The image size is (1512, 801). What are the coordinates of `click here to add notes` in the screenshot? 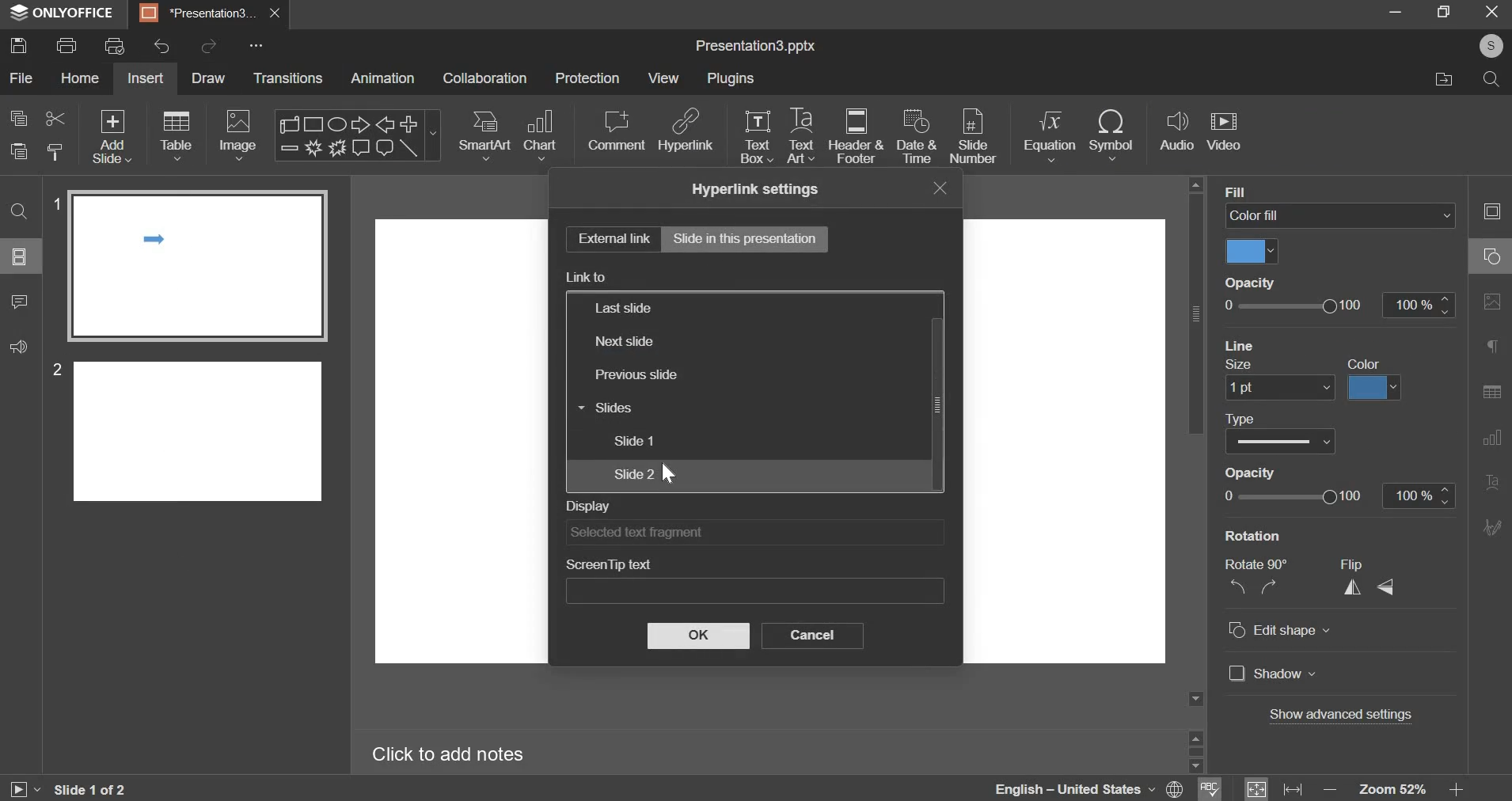 It's located at (448, 755).